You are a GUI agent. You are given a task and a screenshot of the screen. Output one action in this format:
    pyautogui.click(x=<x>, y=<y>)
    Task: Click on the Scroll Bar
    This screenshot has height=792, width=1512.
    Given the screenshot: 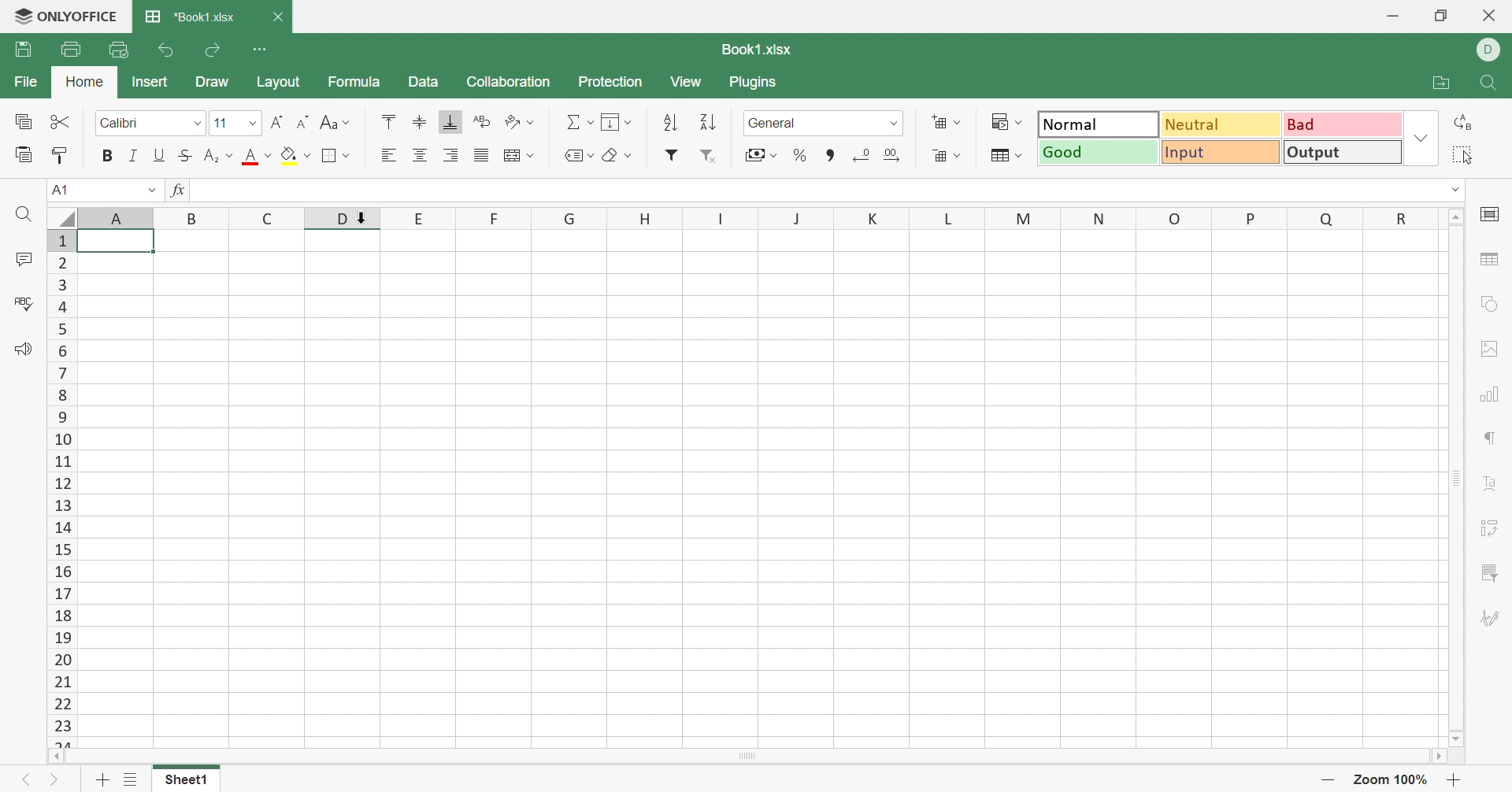 What is the action you would take?
    pyautogui.click(x=1456, y=477)
    